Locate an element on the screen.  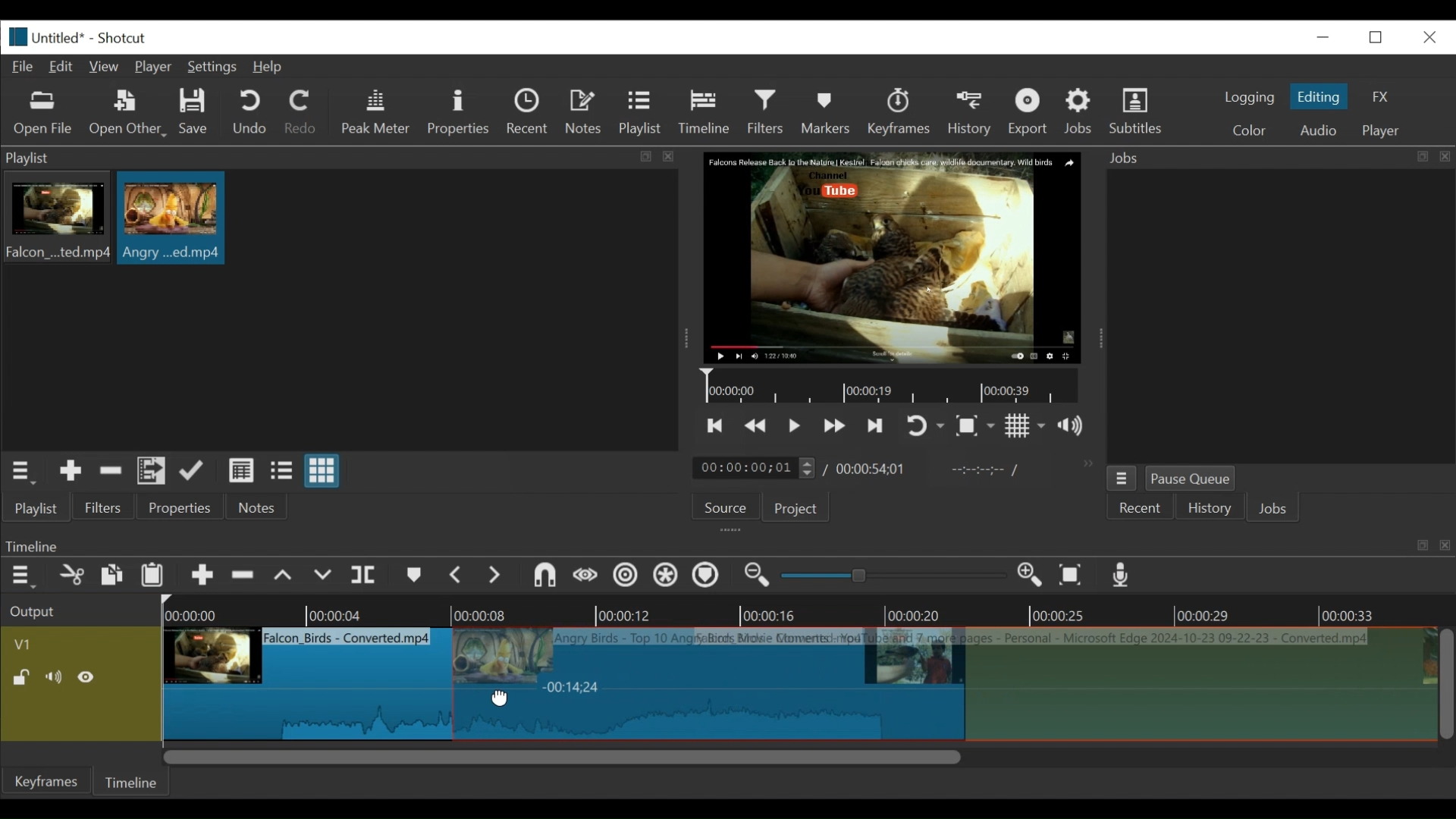
slider is located at coordinates (889, 576).